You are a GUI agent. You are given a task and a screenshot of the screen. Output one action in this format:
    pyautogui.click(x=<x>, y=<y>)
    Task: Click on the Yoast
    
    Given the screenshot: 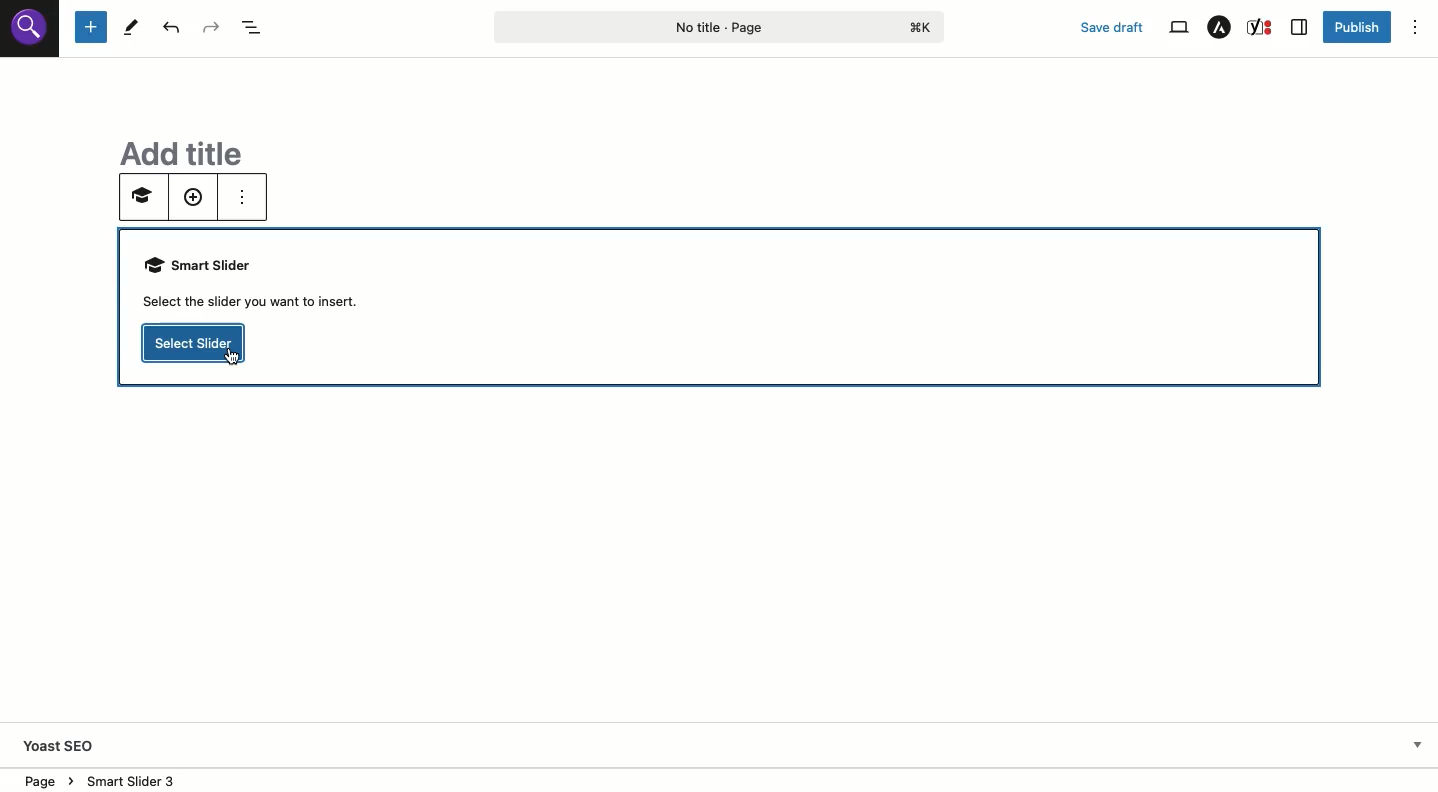 What is the action you would take?
    pyautogui.click(x=74, y=744)
    